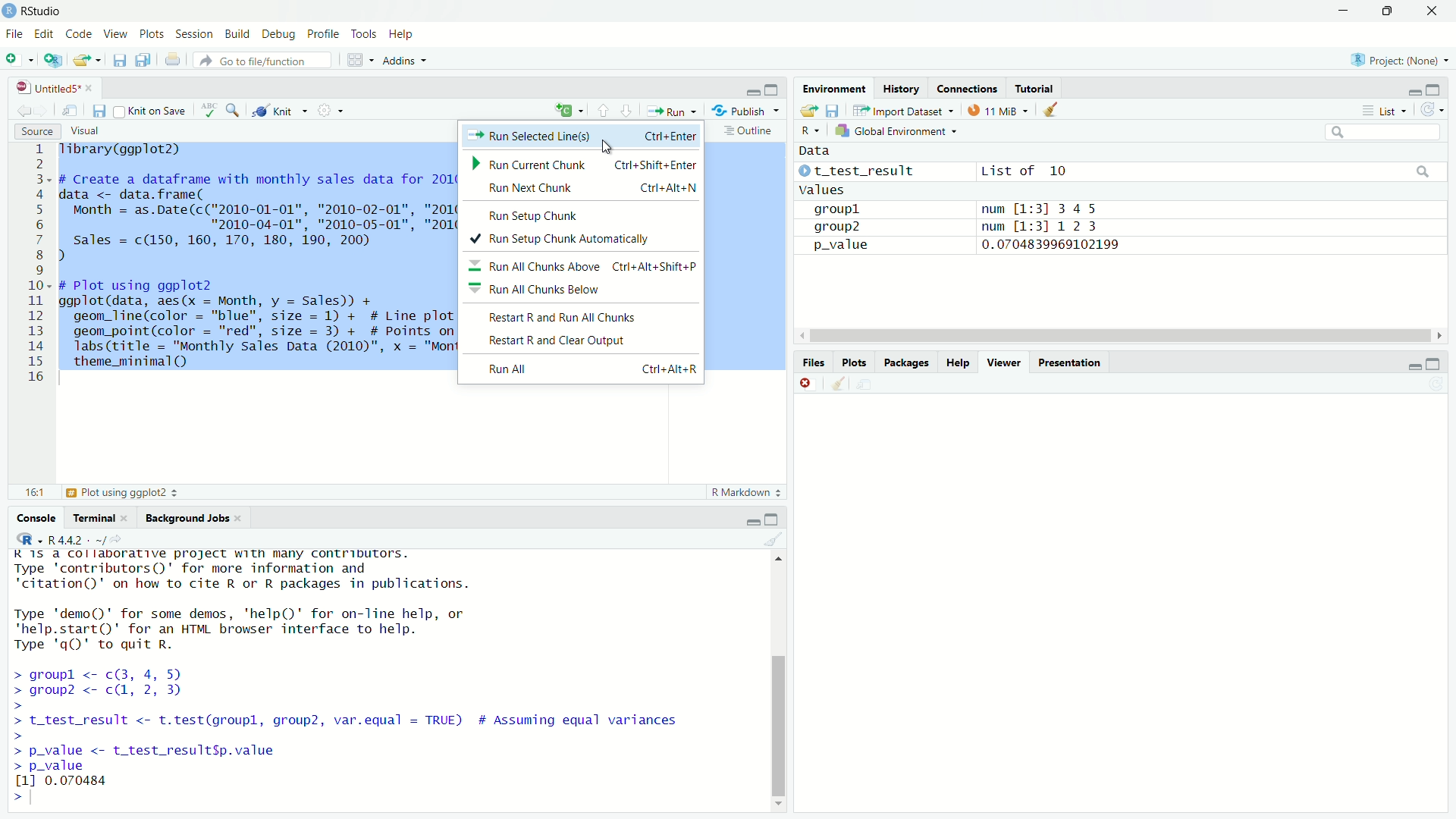 This screenshot has height=819, width=1456. What do you see at coordinates (234, 111) in the screenshot?
I see `search` at bounding box center [234, 111].